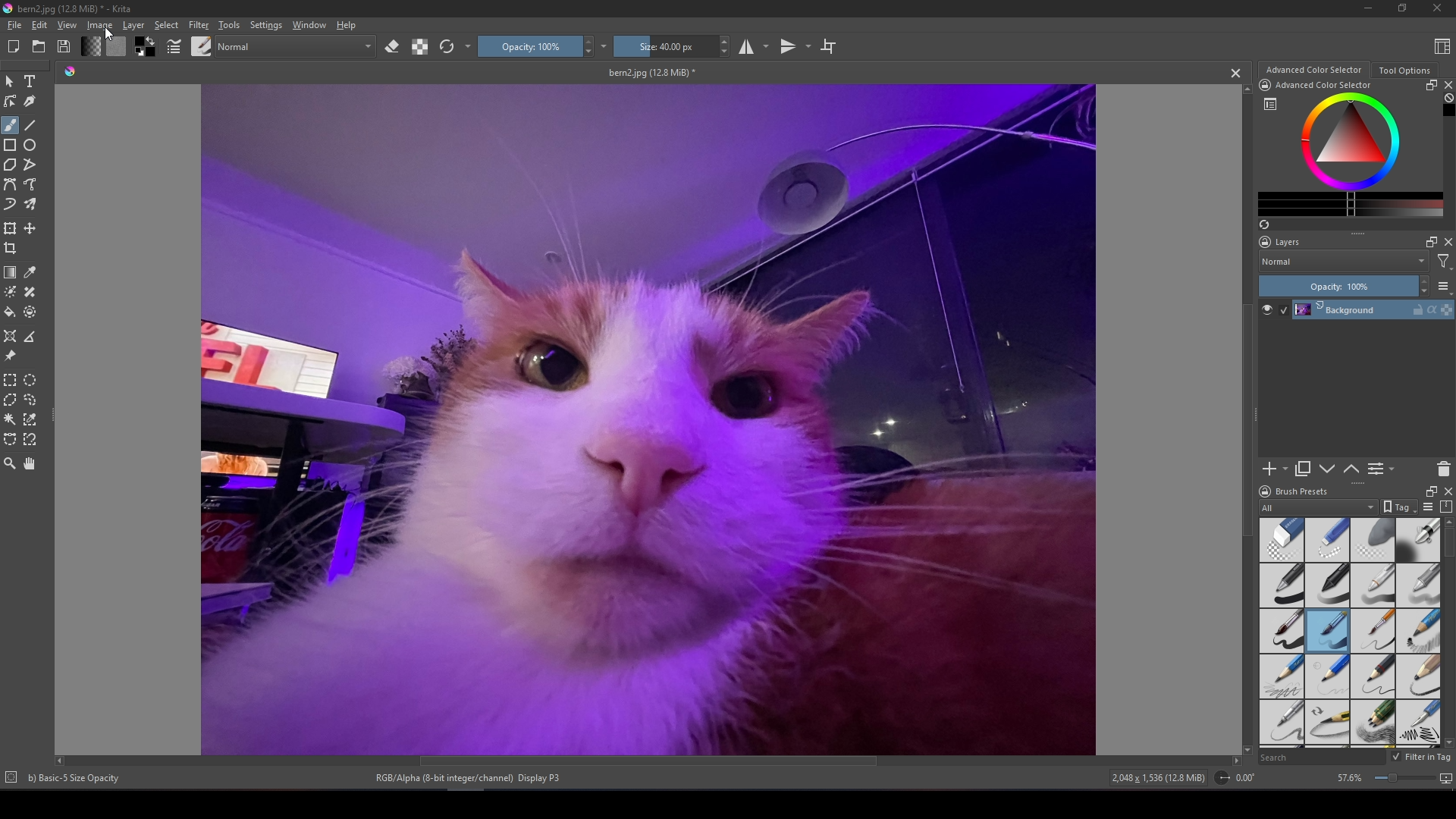  Describe the element at coordinates (1327, 469) in the screenshot. I see `Move layer` at that location.